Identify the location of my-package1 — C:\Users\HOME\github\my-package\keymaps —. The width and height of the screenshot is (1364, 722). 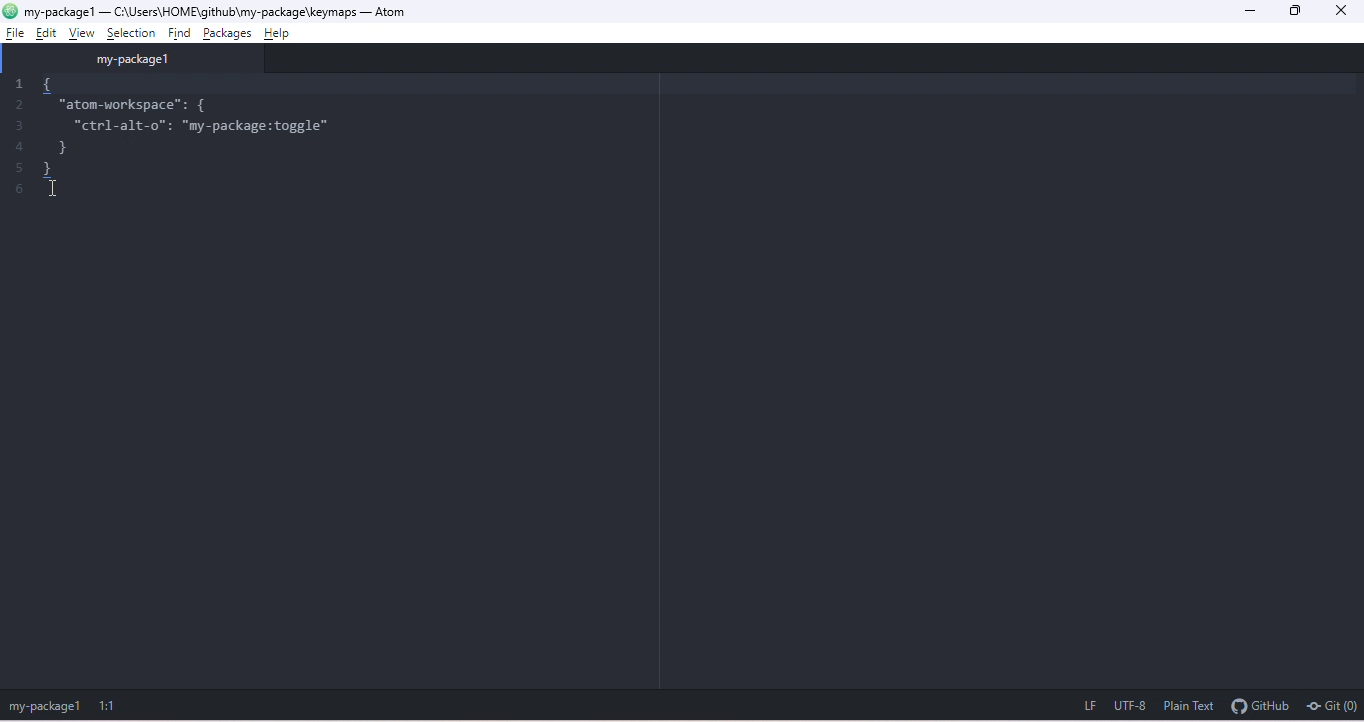
(197, 11).